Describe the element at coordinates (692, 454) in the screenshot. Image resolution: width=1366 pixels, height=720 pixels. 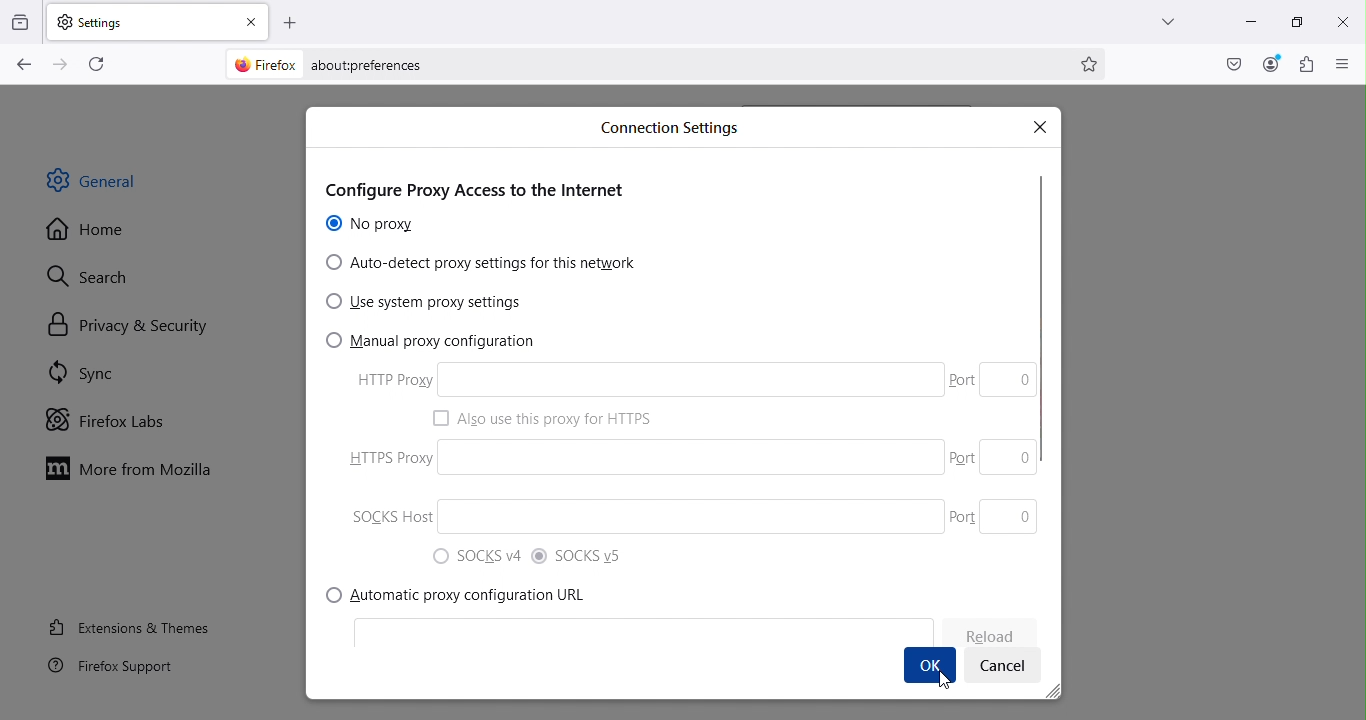
I see `HTTPS proxy` at that location.